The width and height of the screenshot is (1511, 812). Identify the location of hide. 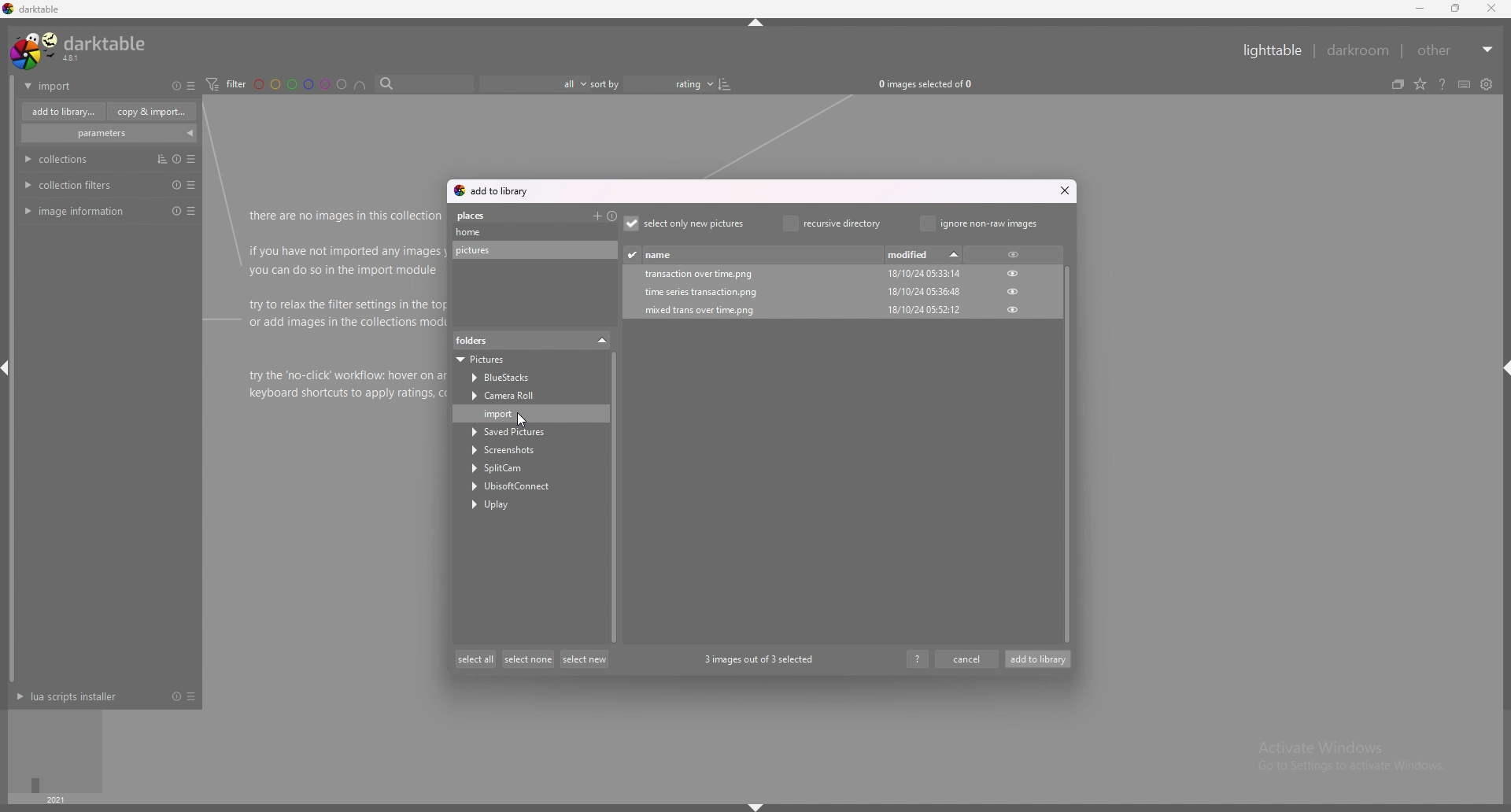
(1009, 309).